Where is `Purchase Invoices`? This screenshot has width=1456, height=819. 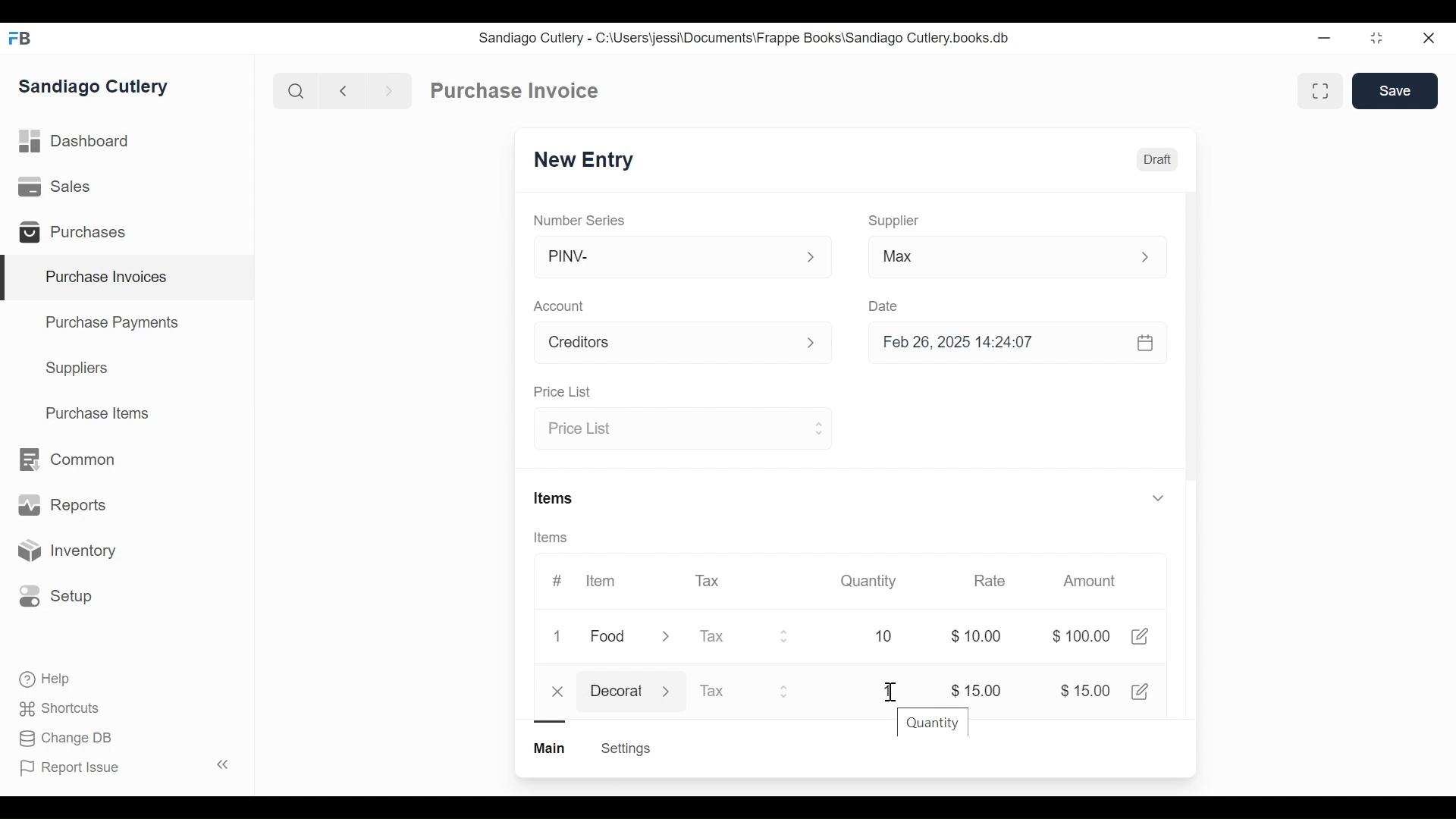
Purchase Invoices is located at coordinates (128, 278).